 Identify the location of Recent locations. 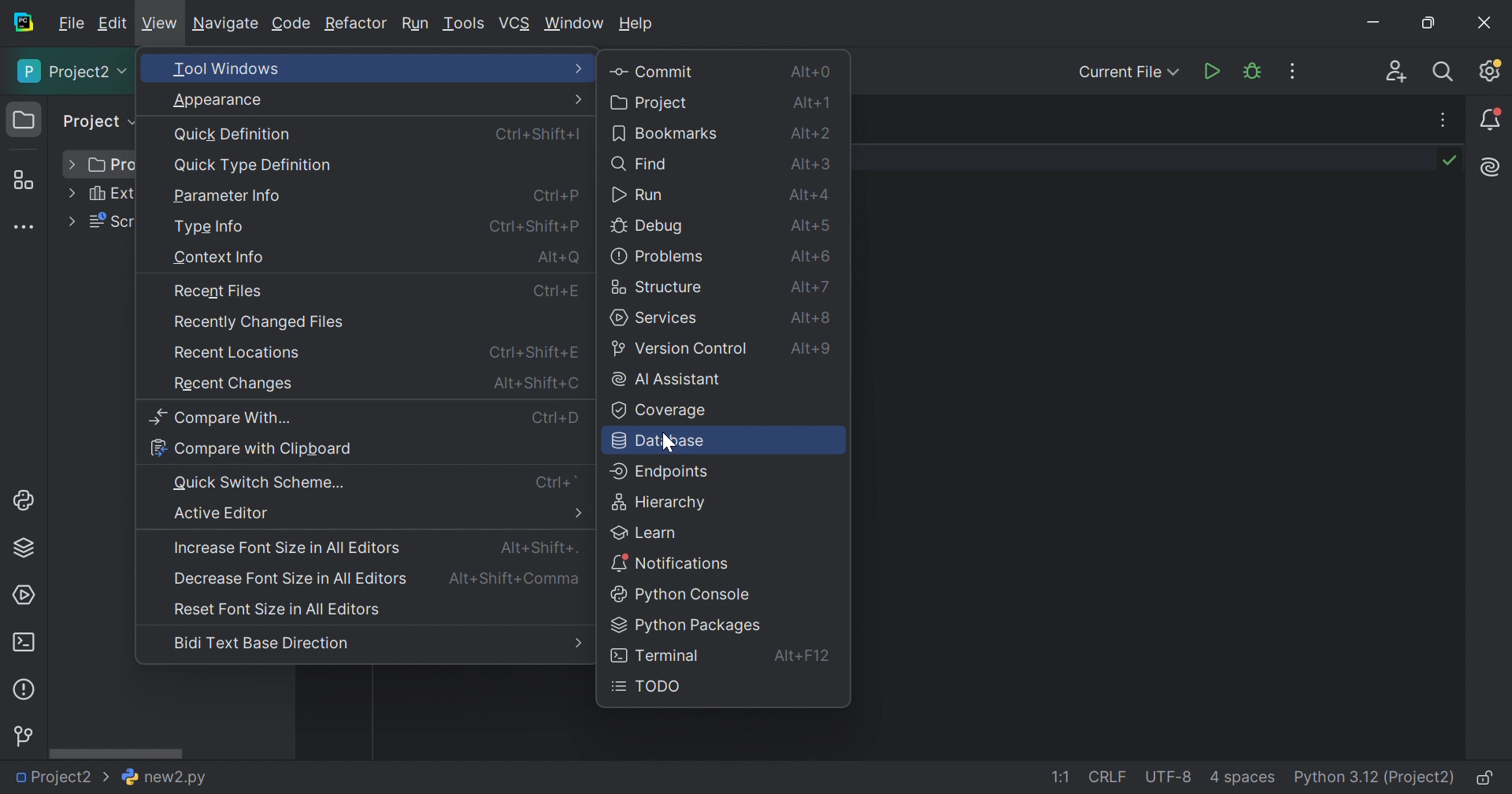
(239, 352).